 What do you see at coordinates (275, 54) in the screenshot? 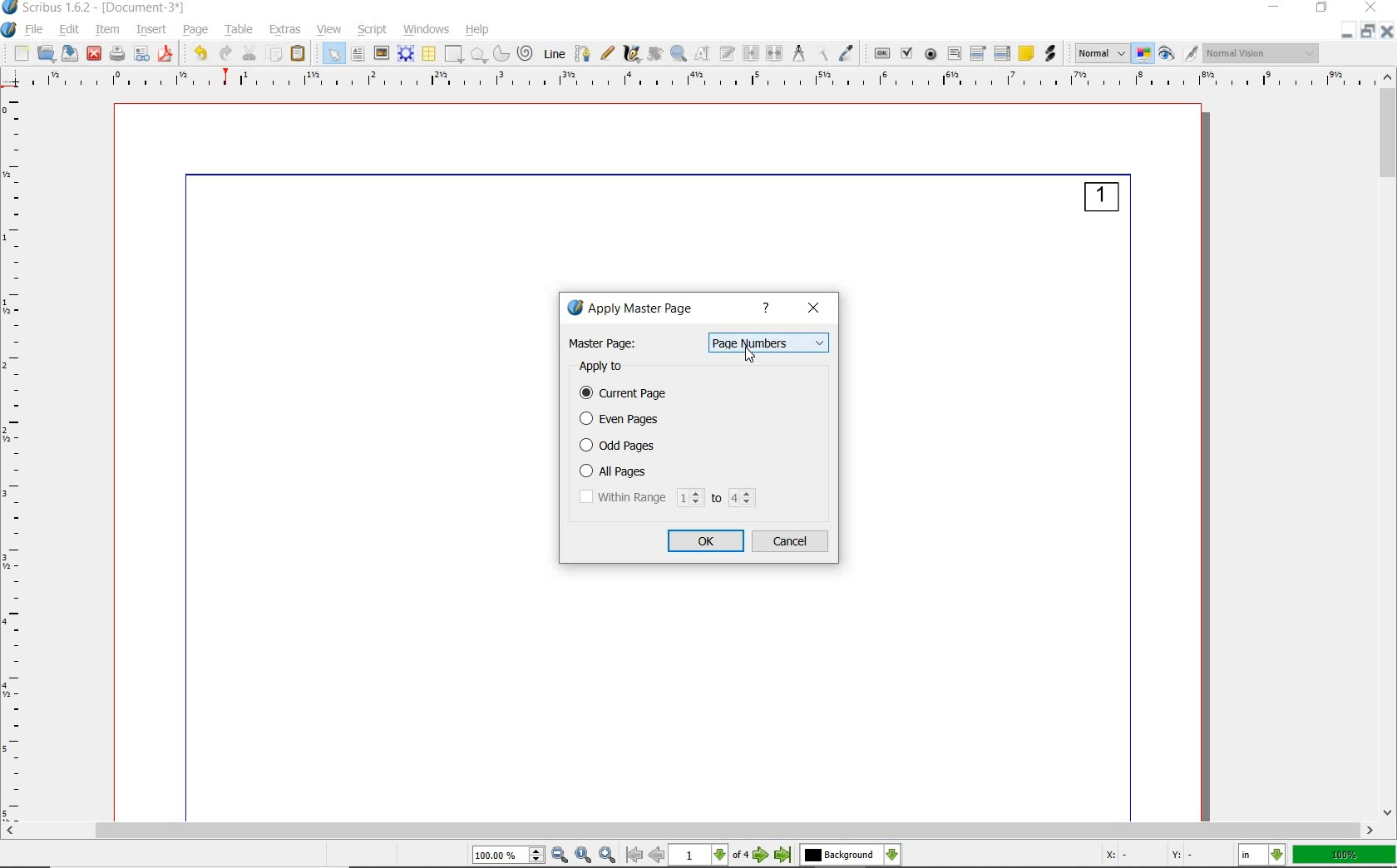
I see `copy` at bounding box center [275, 54].